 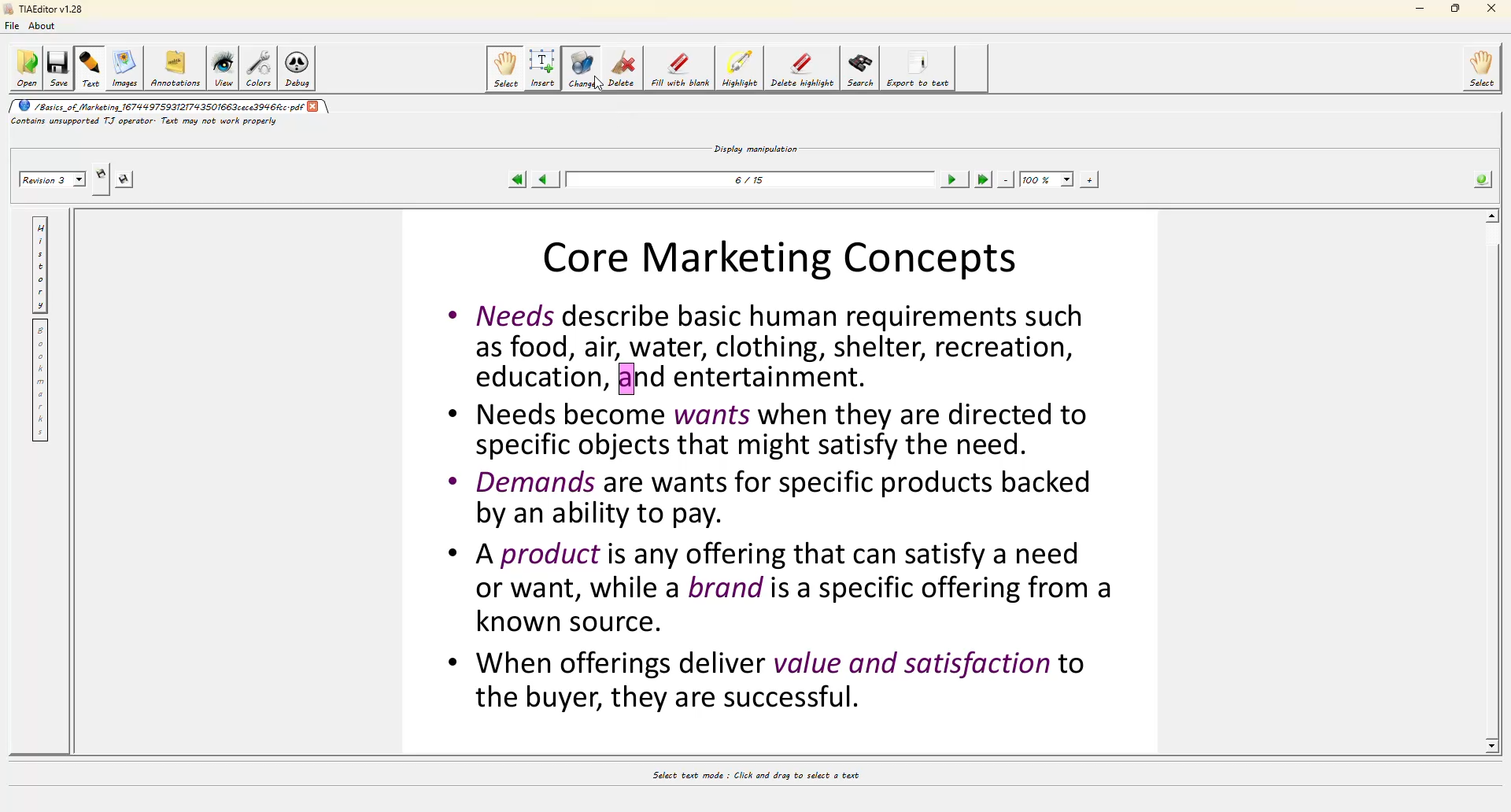 I want to click on save, so click(x=57, y=68).